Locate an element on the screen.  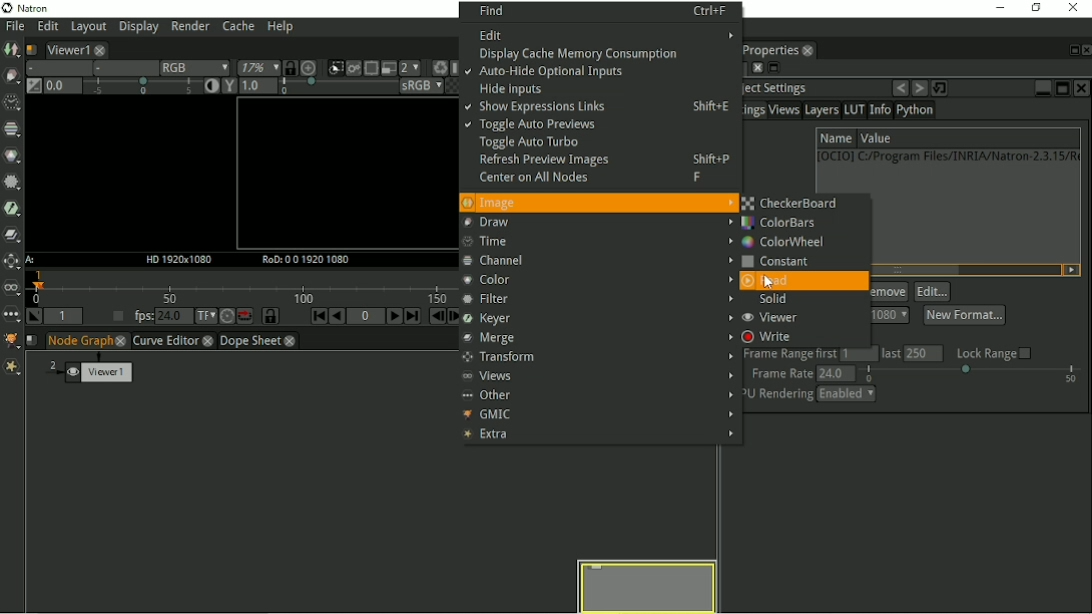
Properties is located at coordinates (779, 50).